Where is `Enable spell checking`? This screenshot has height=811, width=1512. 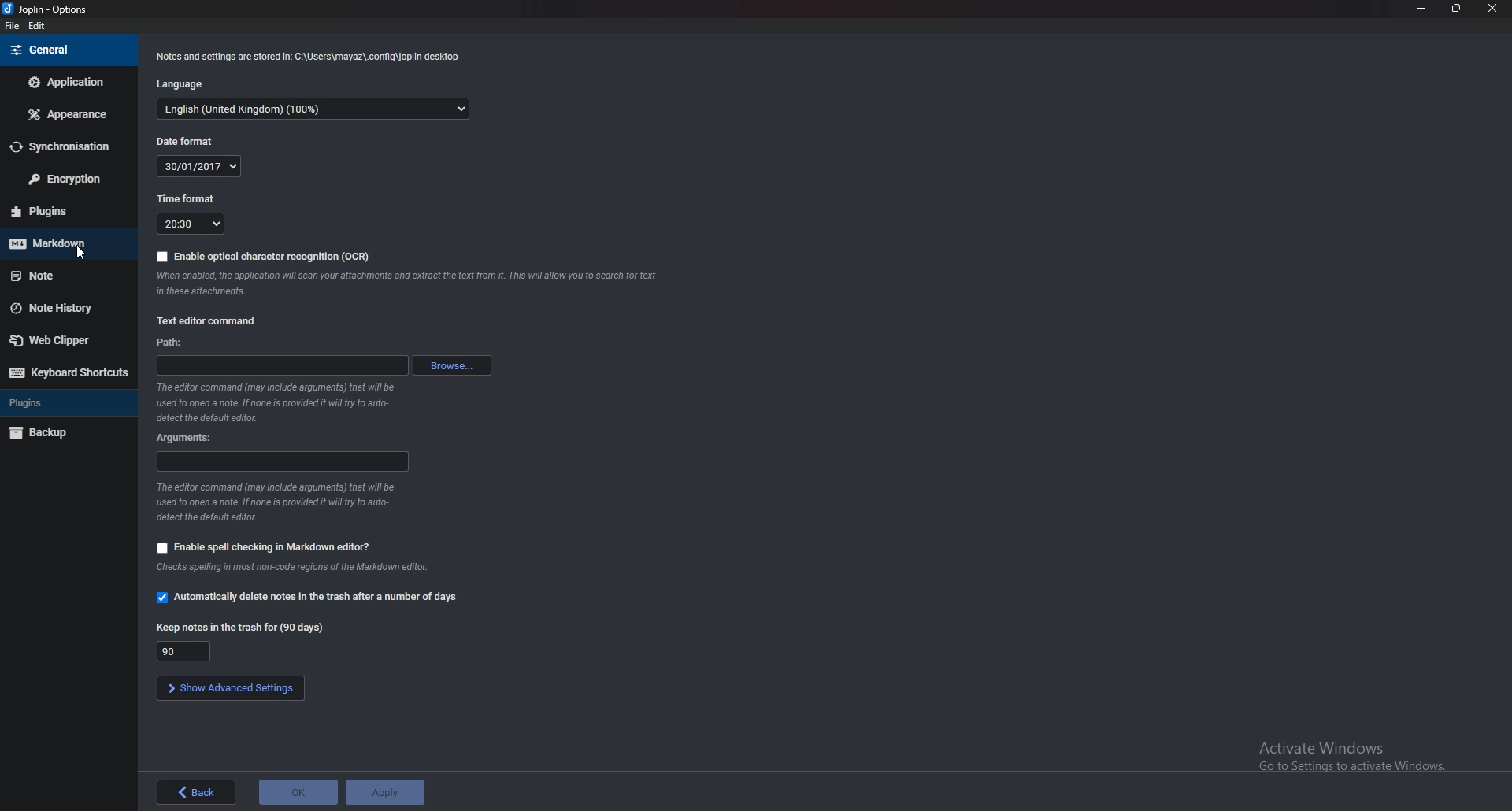
Enable spell checking is located at coordinates (265, 546).